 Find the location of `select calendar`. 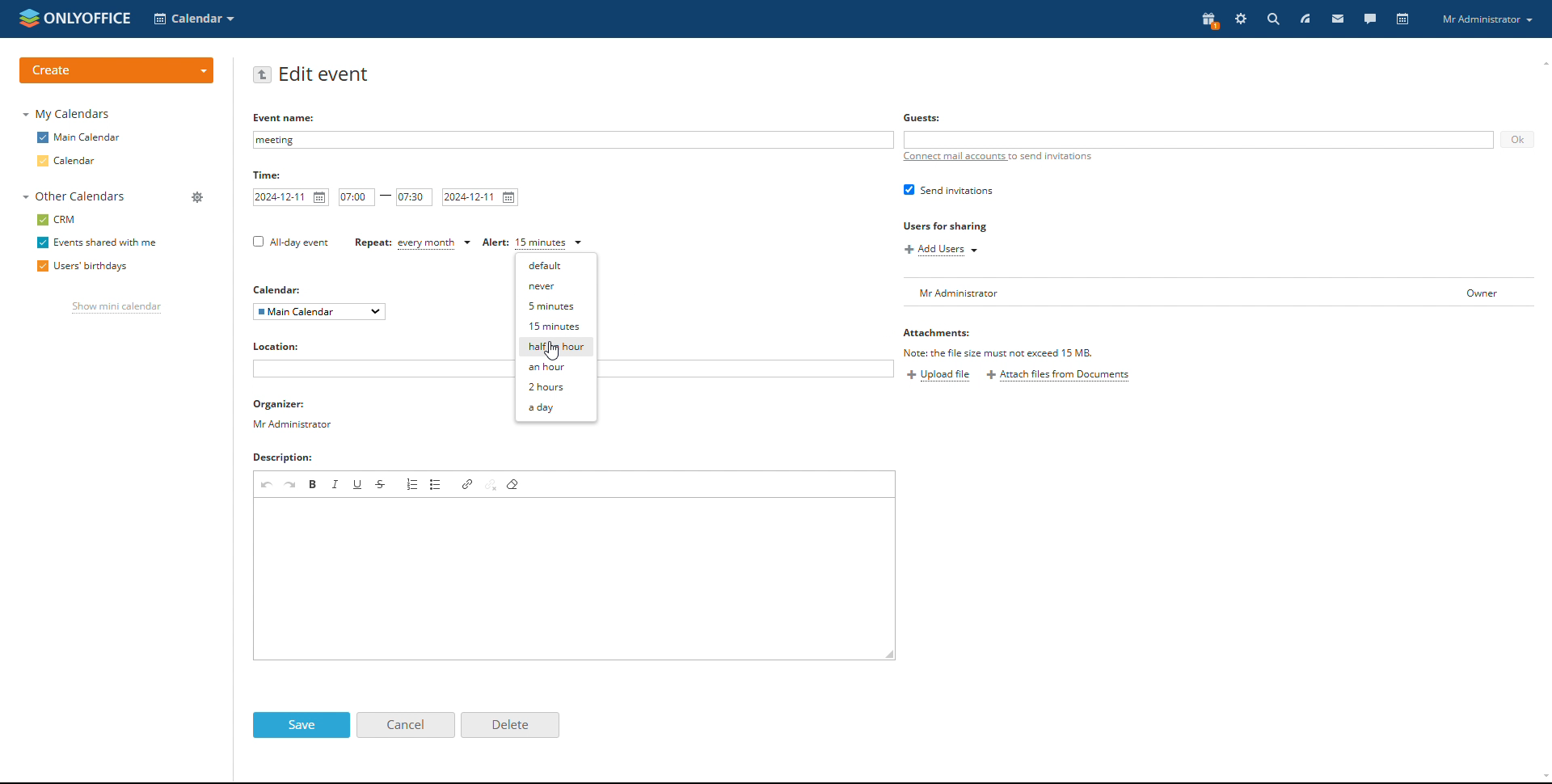

select calendar is located at coordinates (320, 312).